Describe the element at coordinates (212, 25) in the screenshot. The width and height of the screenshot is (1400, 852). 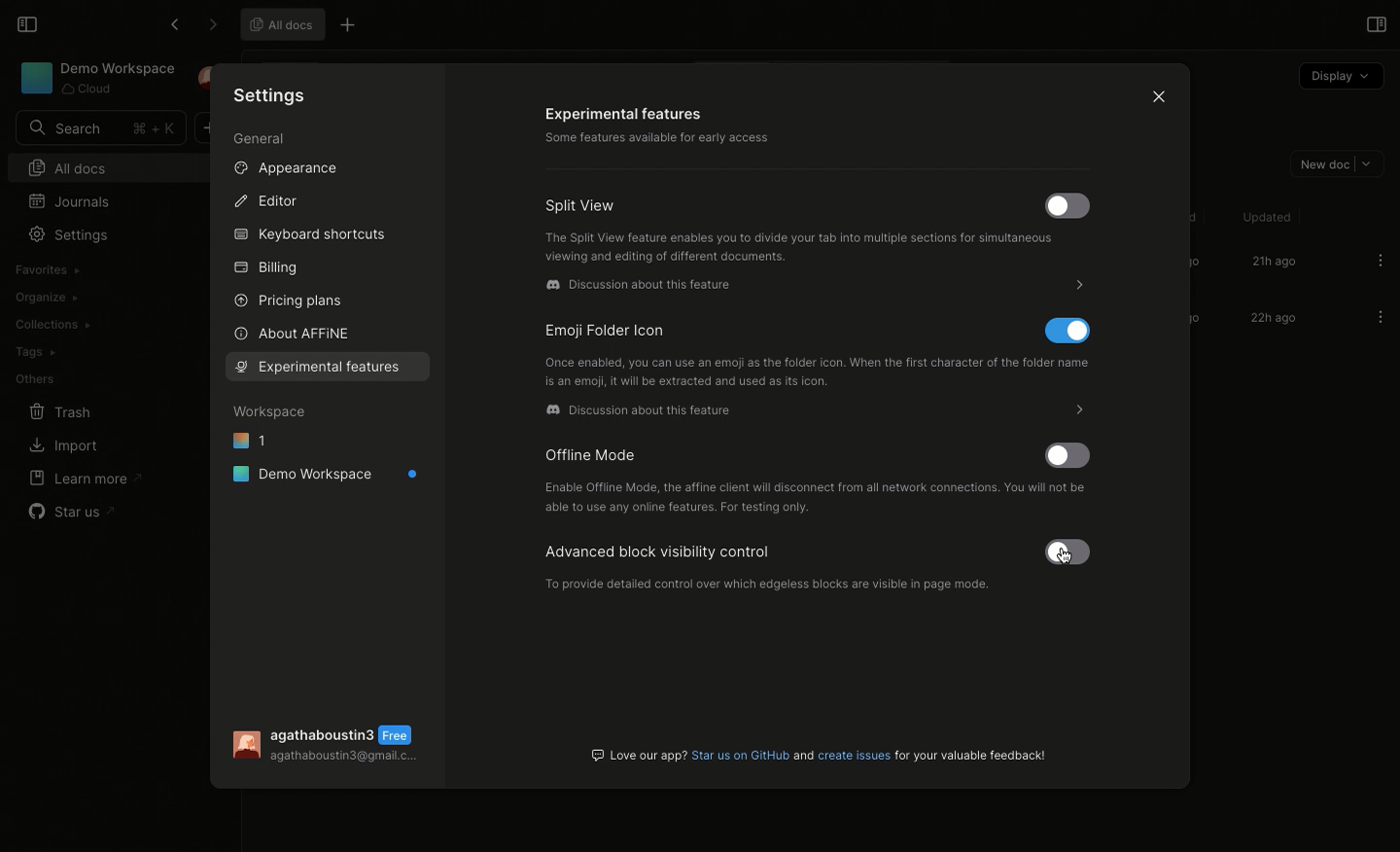
I see `Forward` at that location.